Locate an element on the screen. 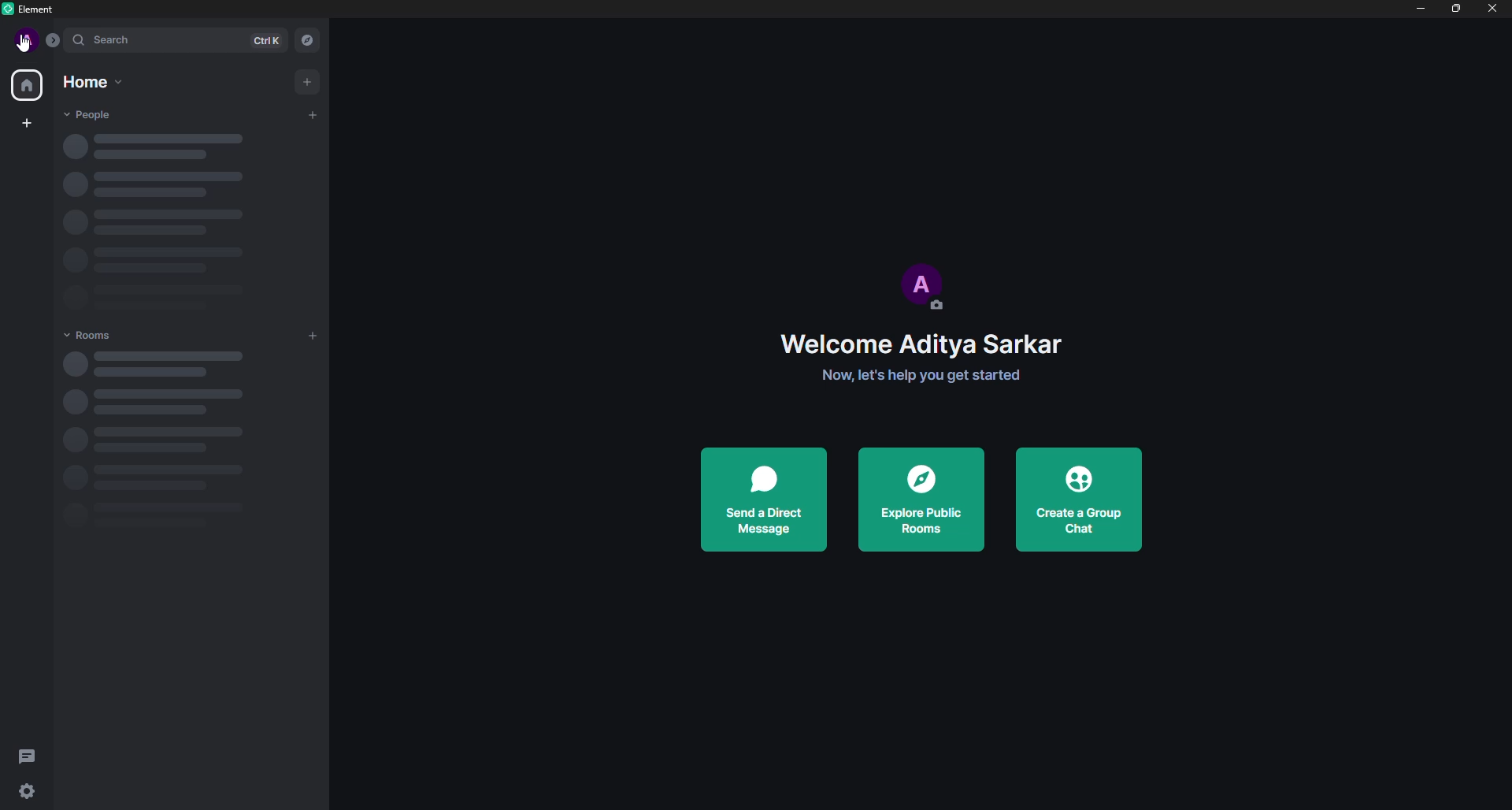 The image size is (1512, 810). threads is located at coordinates (24, 757).